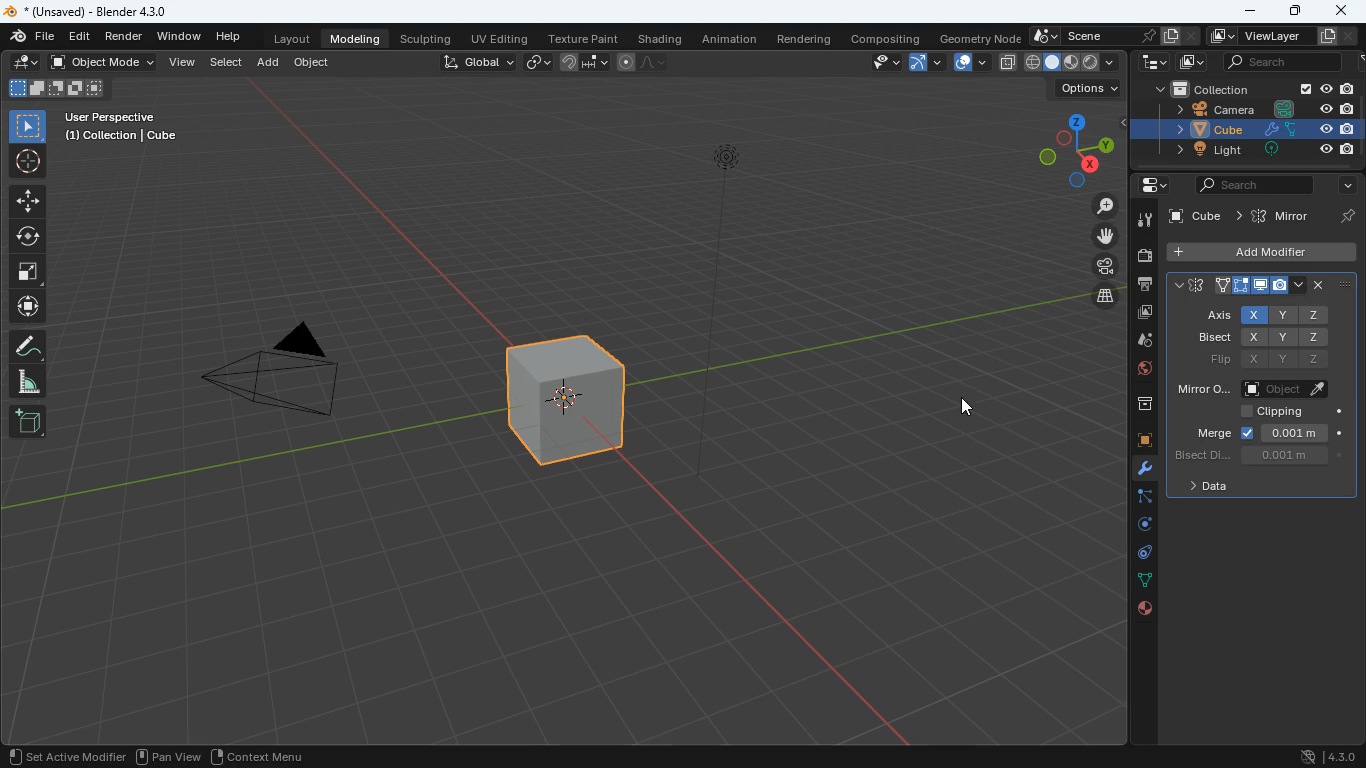  Describe the element at coordinates (1323, 109) in the screenshot. I see `` at that location.